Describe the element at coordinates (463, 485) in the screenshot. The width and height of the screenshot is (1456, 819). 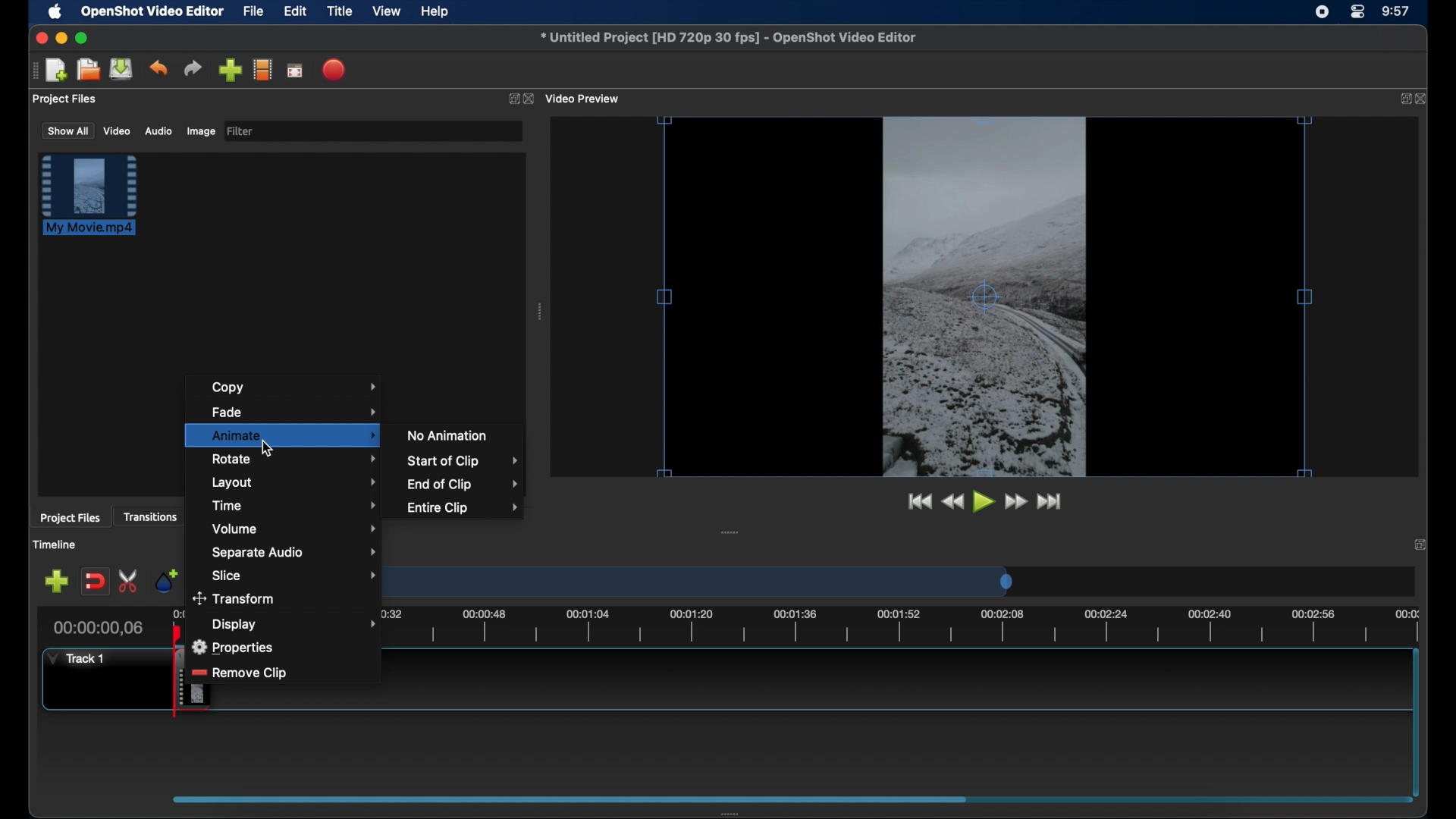
I see `end of clip menu` at that location.